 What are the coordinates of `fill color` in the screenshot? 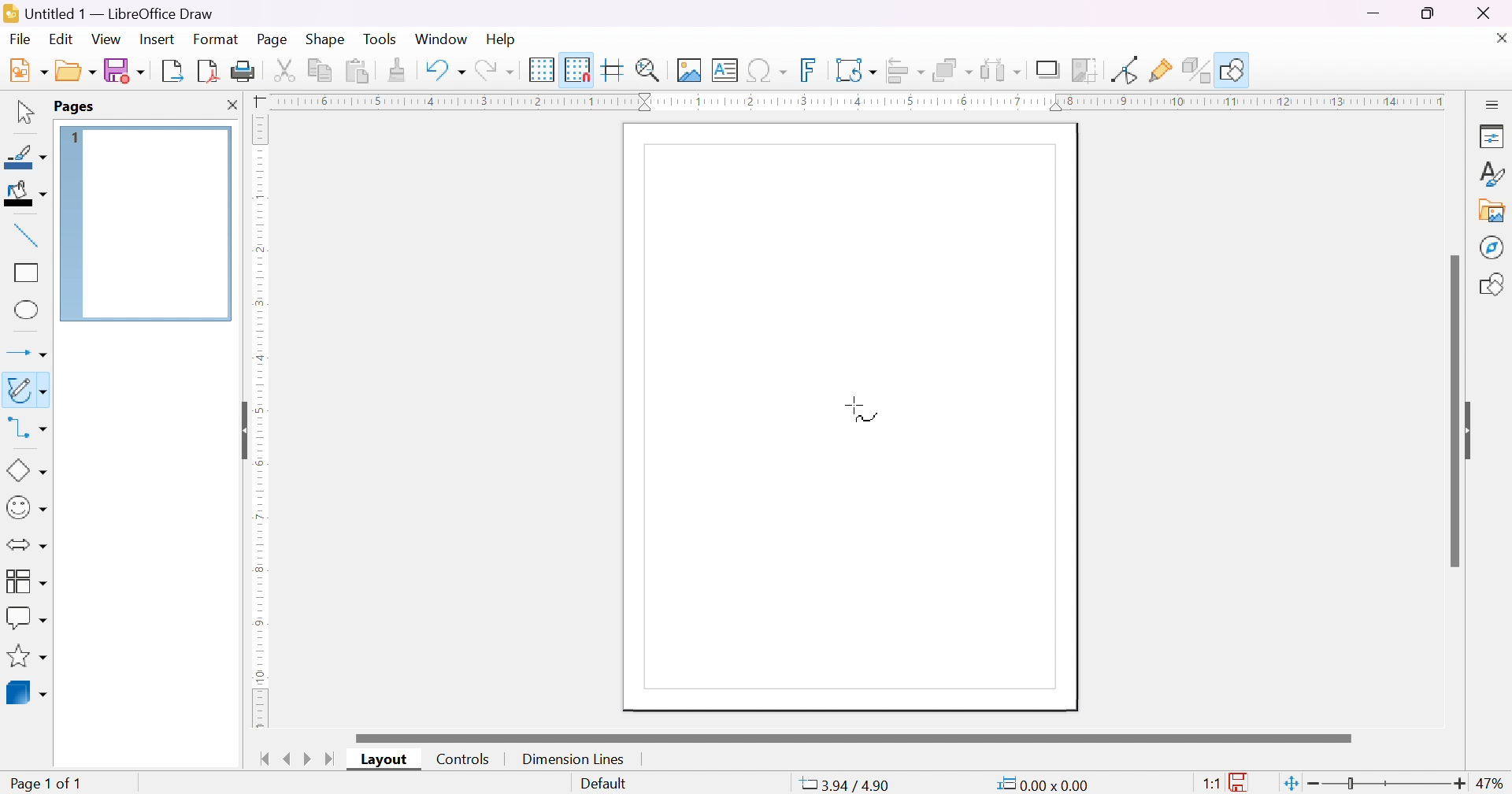 It's located at (24, 192).